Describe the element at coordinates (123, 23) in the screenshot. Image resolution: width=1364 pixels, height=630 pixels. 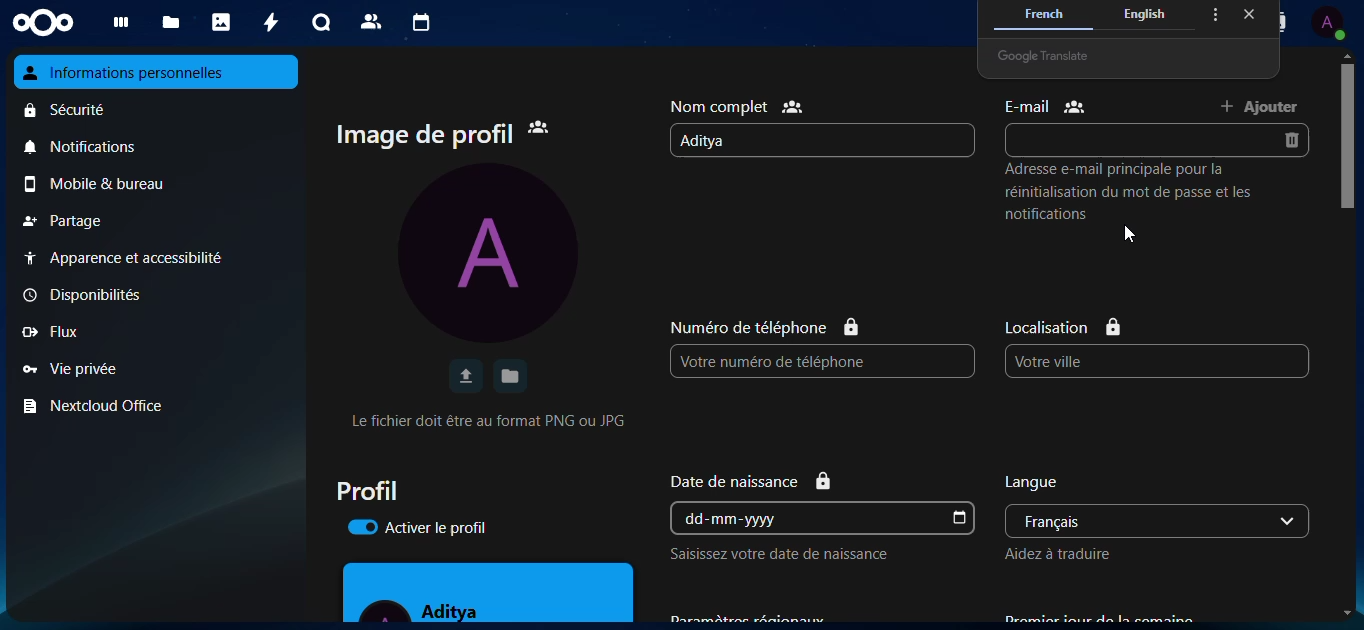
I see `dashboard` at that location.